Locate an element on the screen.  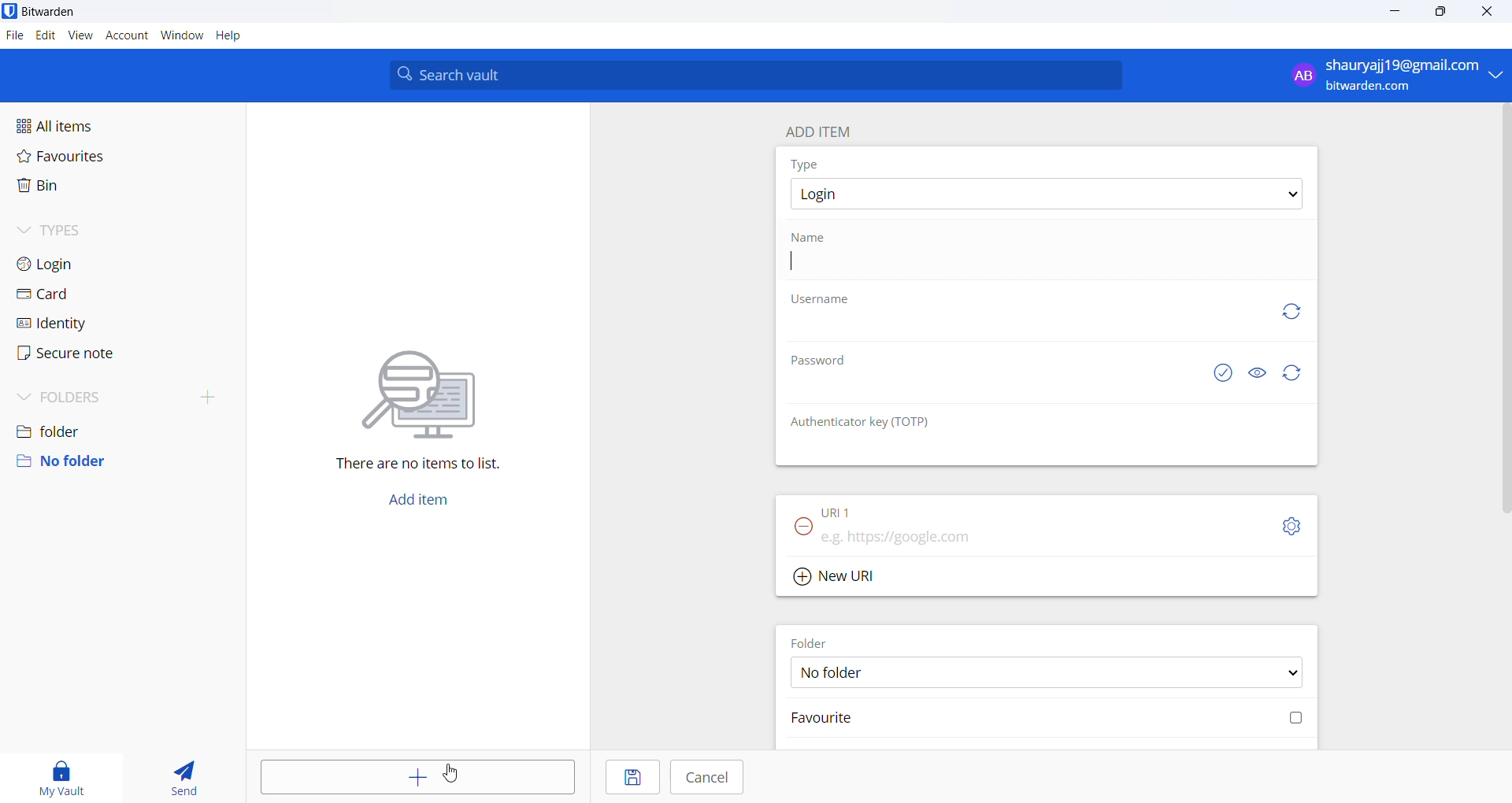
add entry is located at coordinates (417, 775).